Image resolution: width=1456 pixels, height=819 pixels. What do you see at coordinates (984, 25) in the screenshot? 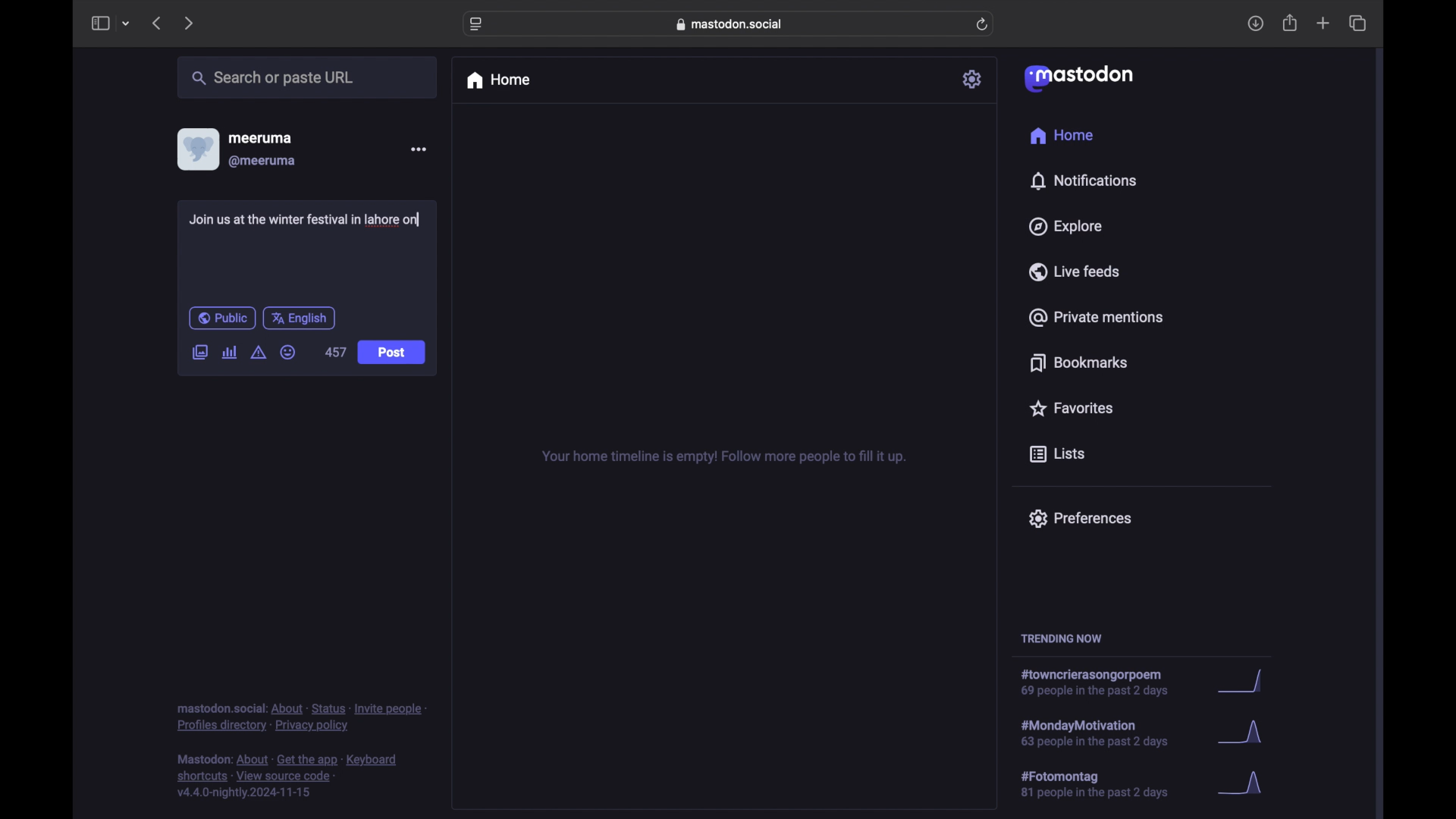
I see `refresh` at bounding box center [984, 25].